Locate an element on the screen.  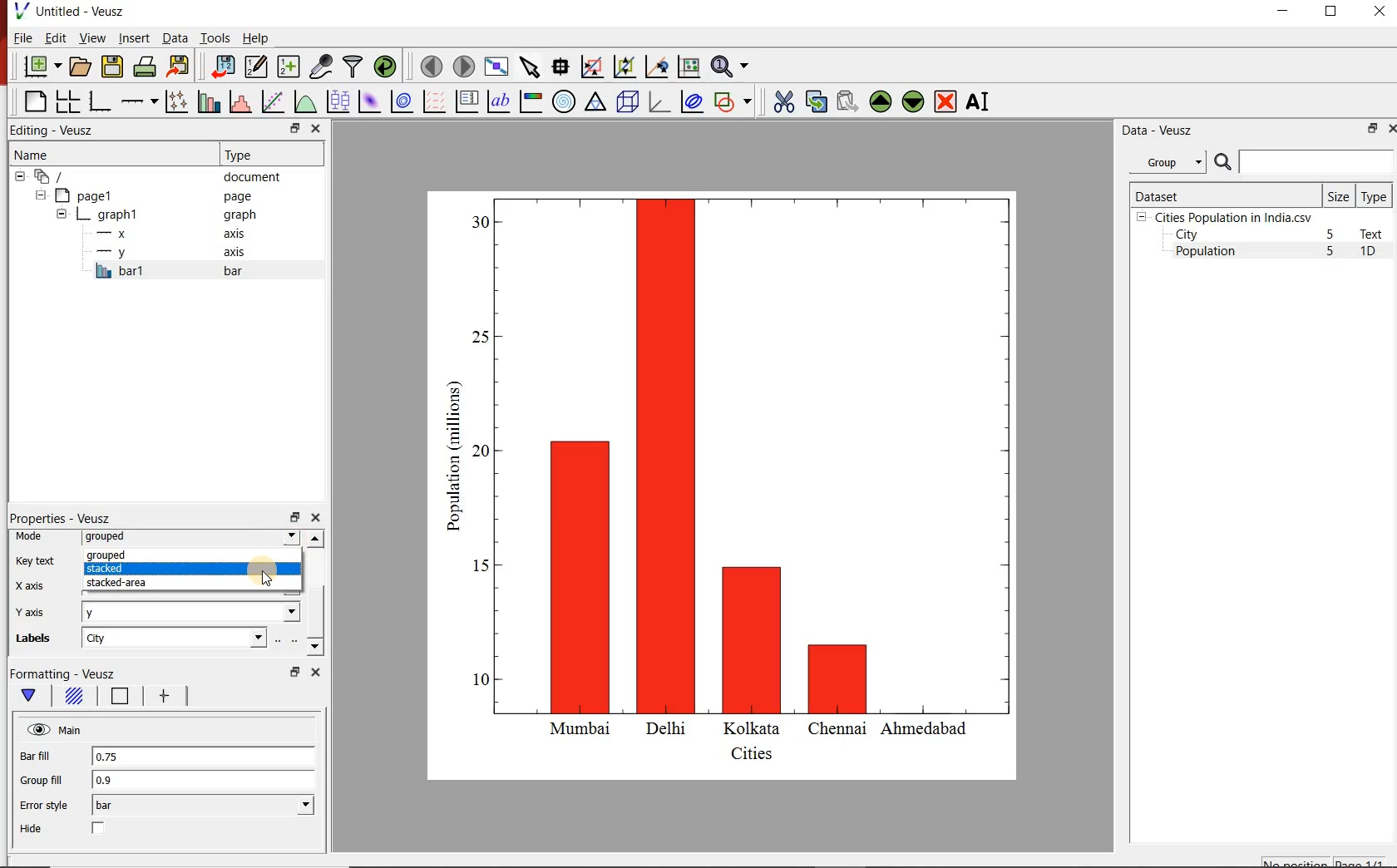
restore is located at coordinates (294, 672).